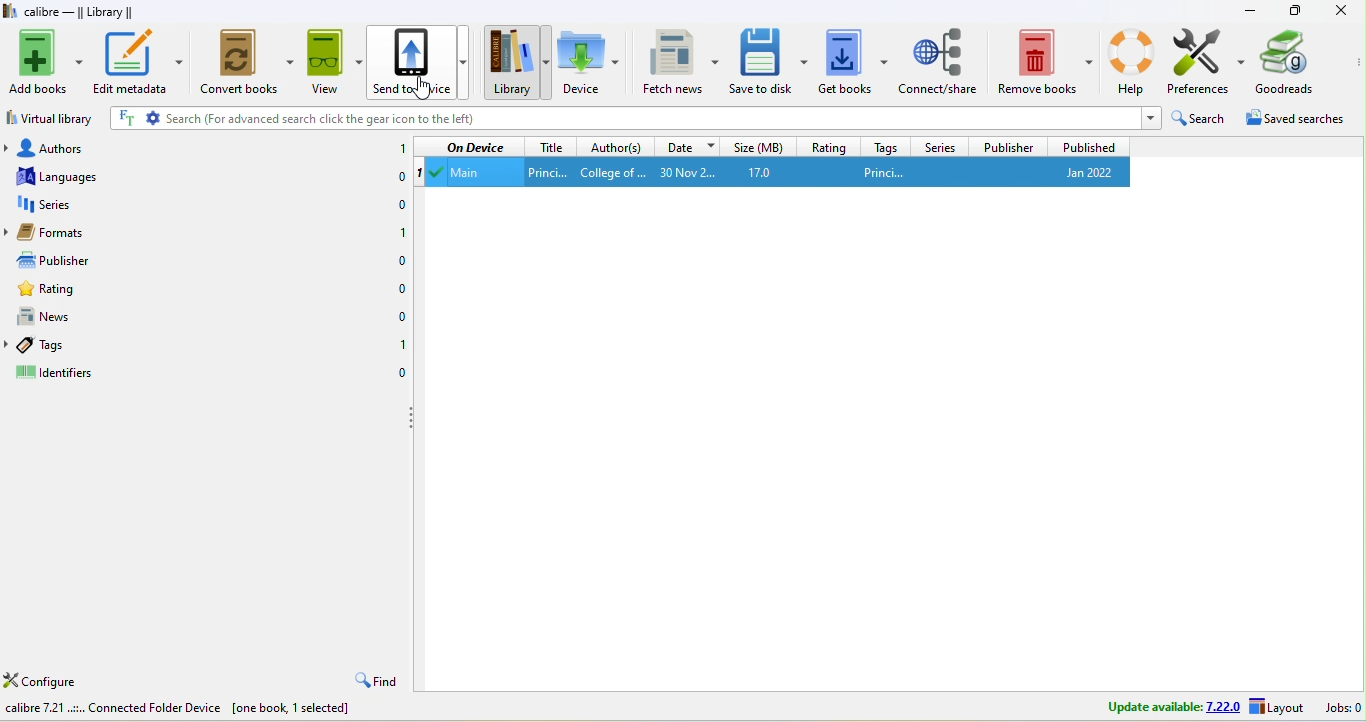 The image size is (1366, 722). What do you see at coordinates (1084, 146) in the screenshot?
I see `published` at bounding box center [1084, 146].